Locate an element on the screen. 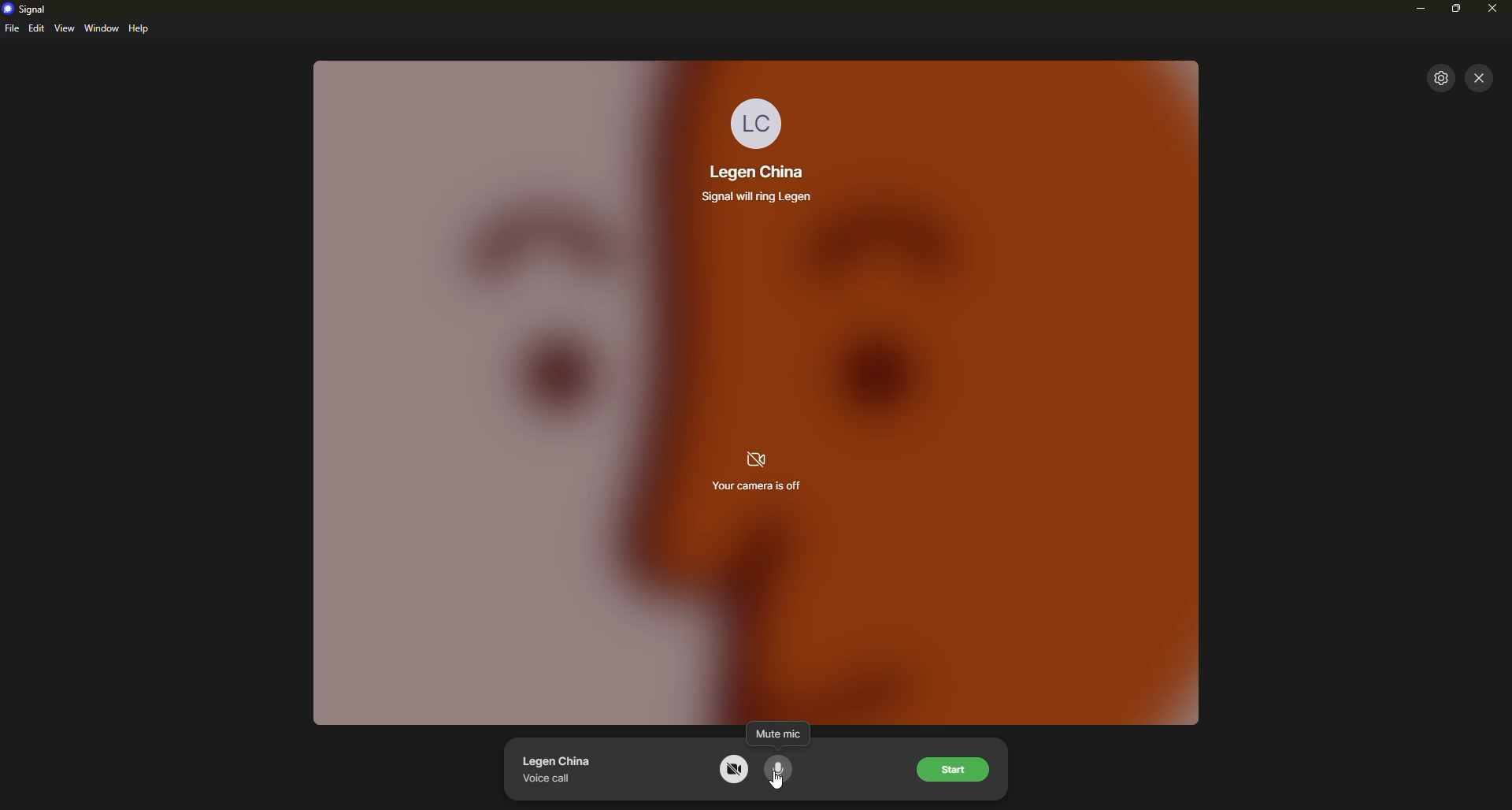  minimize is located at coordinates (1422, 9).